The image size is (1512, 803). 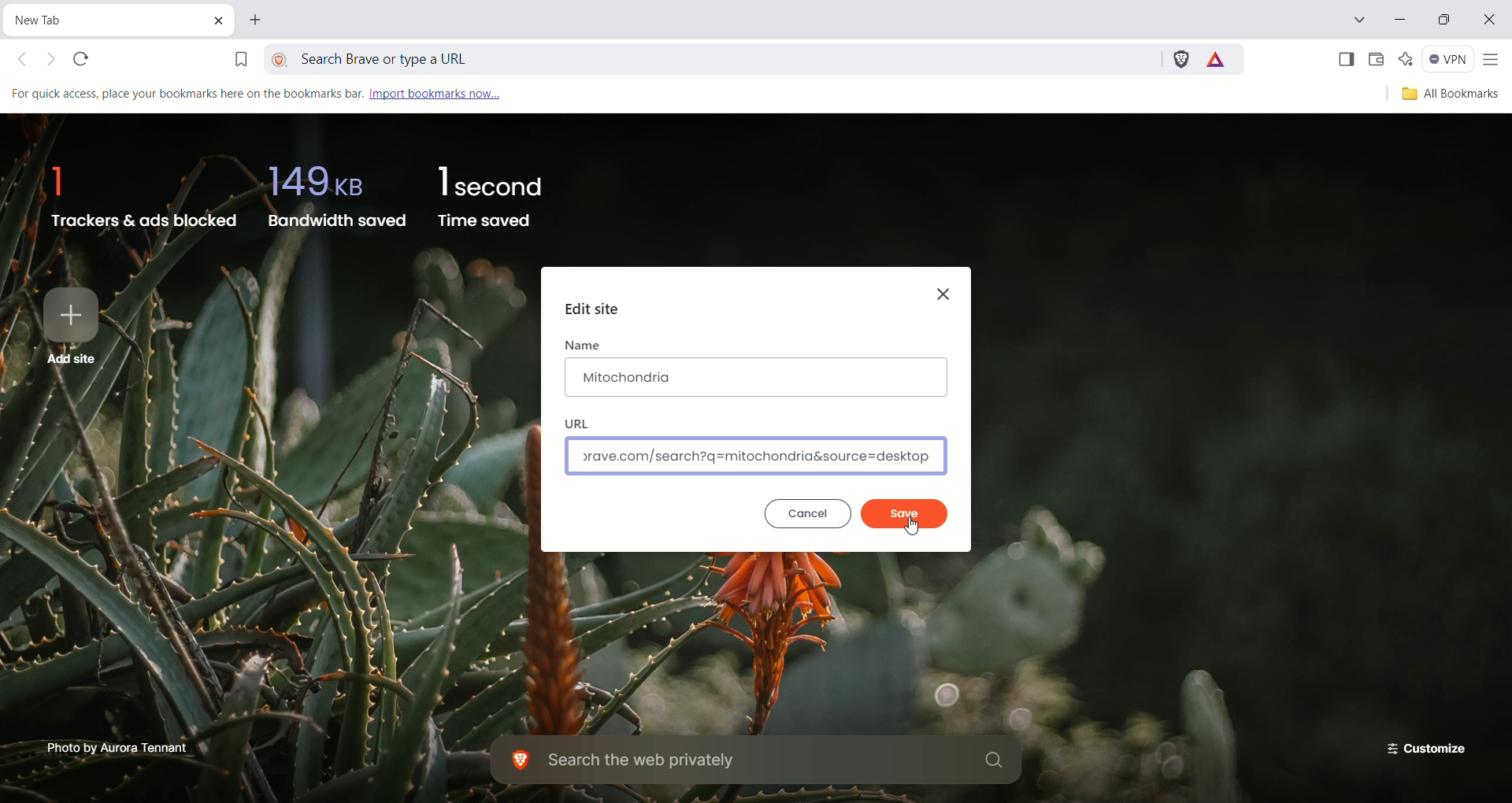 What do you see at coordinates (1180, 57) in the screenshot?
I see `brave shields` at bounding box center [1180, 57].